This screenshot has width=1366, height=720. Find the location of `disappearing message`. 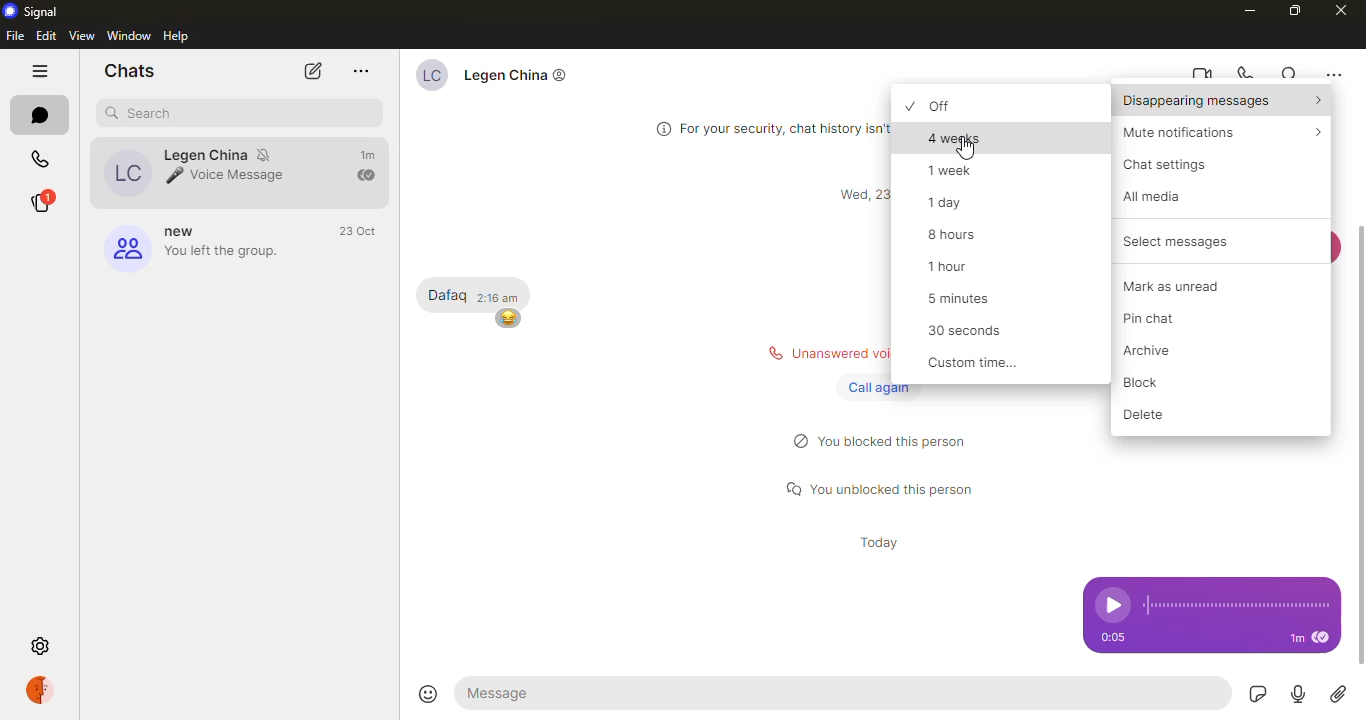

disappearing message is located at coordinates (1221, 102).